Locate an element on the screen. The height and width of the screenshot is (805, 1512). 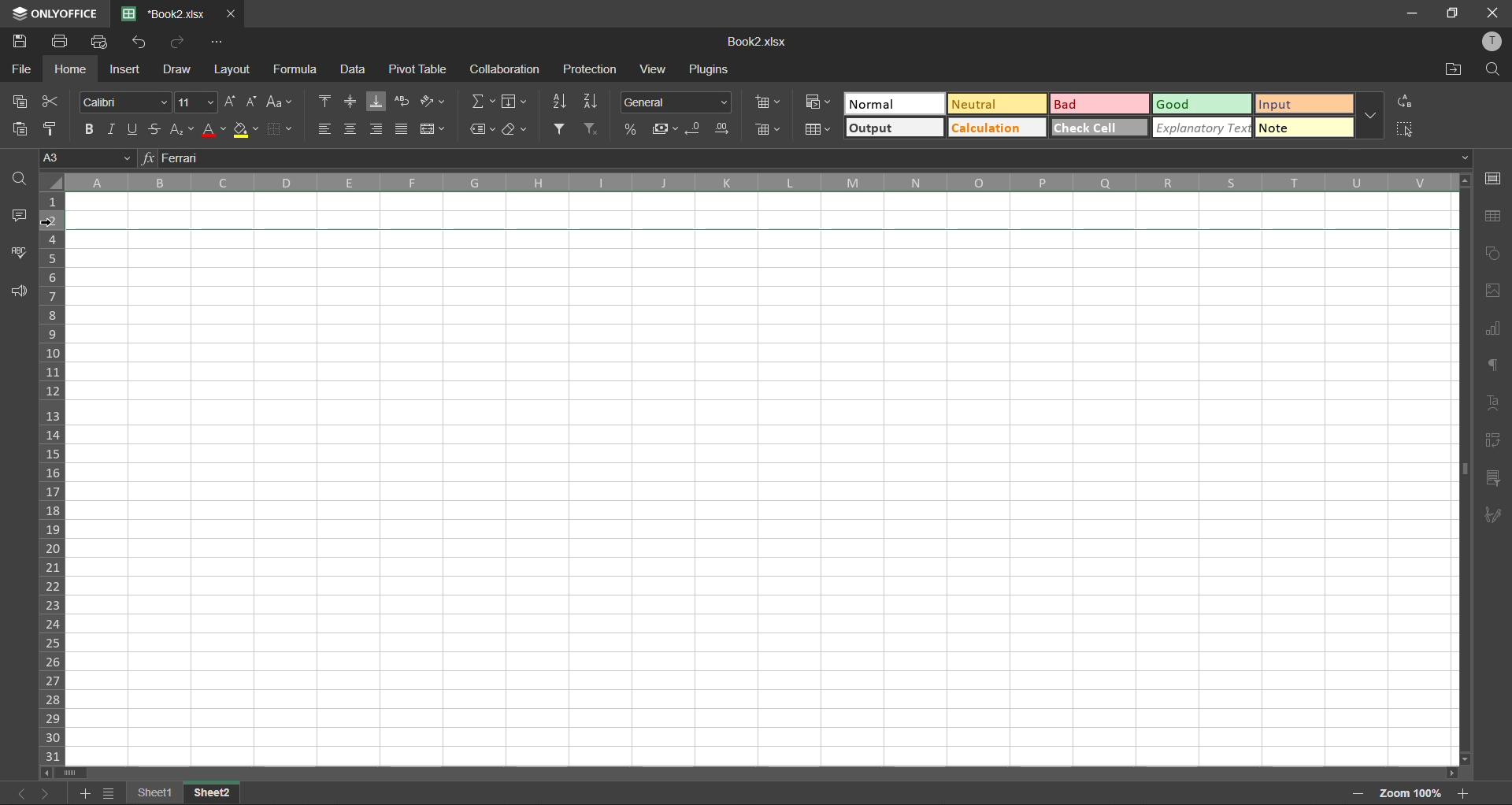
sheet names is located at coordinates (158, 792).